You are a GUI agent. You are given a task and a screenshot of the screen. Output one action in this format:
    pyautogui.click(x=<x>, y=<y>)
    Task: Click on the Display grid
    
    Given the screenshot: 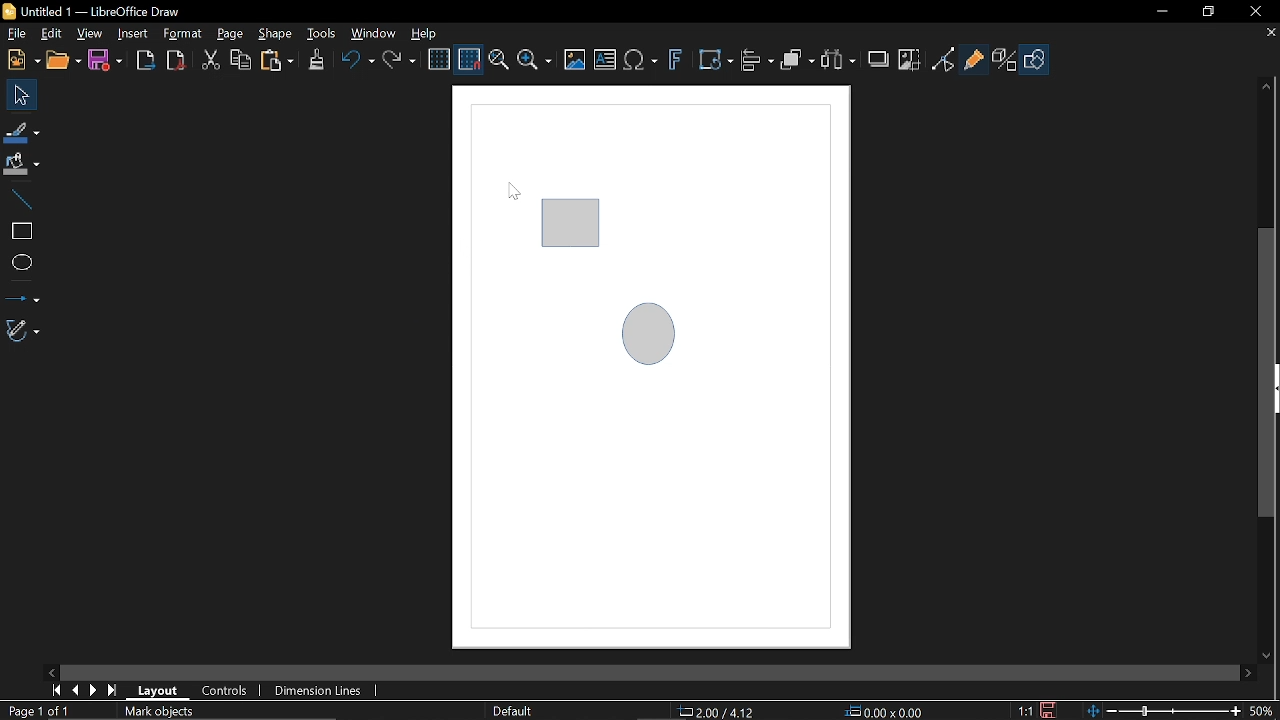 What is the action you would take?
    pyautogui.click(x=439, y=59)
    